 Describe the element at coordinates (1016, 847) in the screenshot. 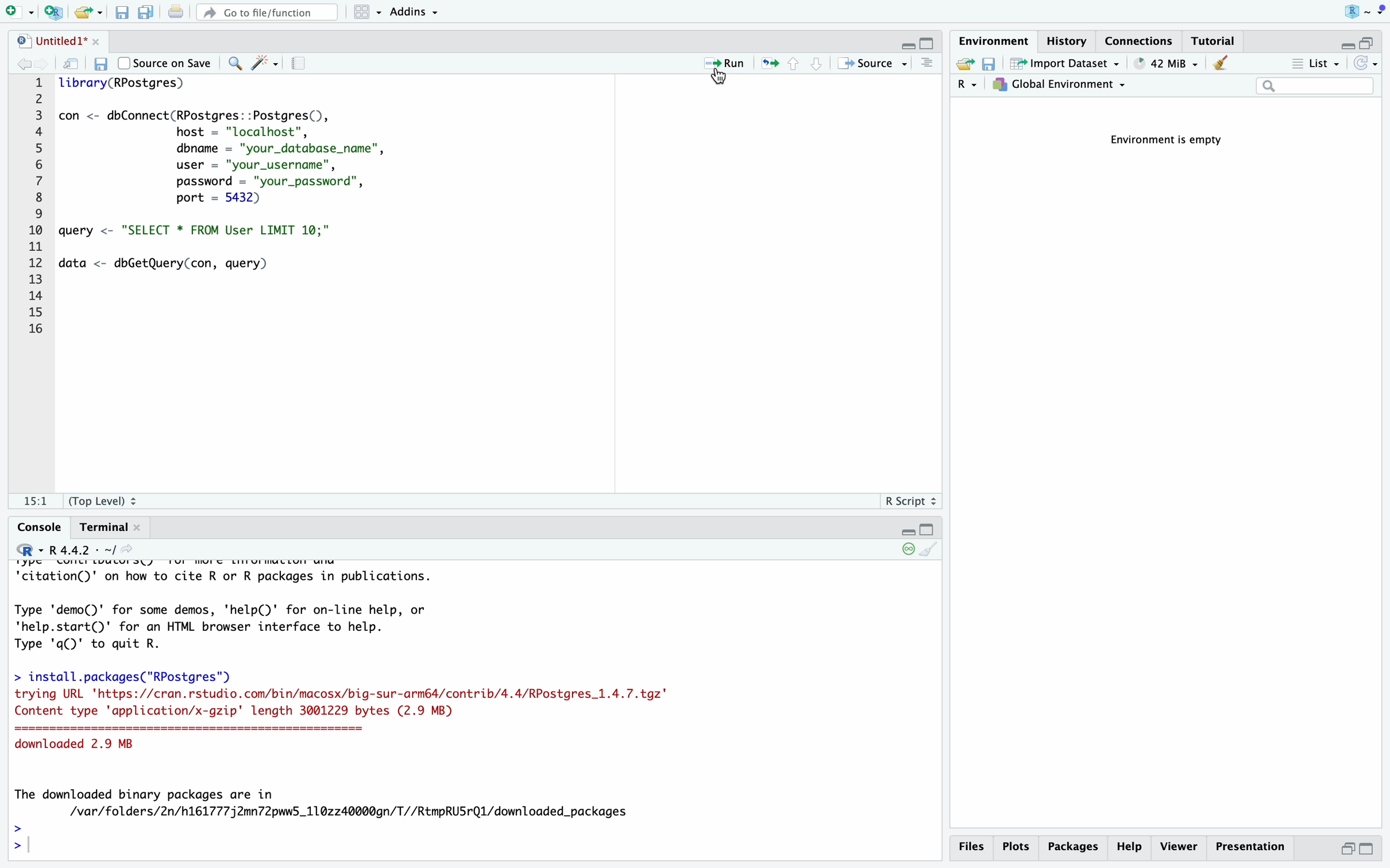

I see `plots` at that location.